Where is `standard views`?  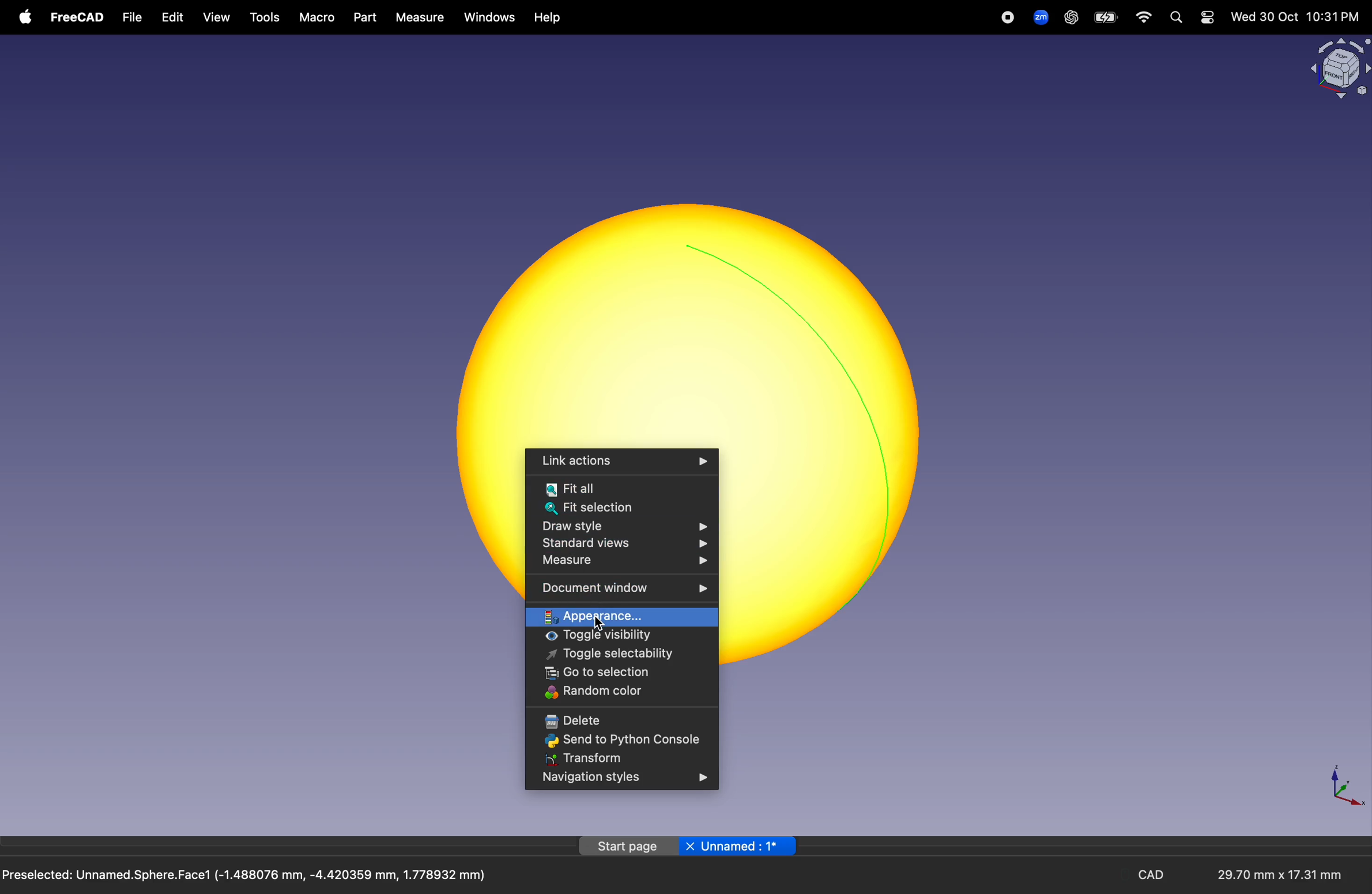 standard views is located at coordinates (628, 544).